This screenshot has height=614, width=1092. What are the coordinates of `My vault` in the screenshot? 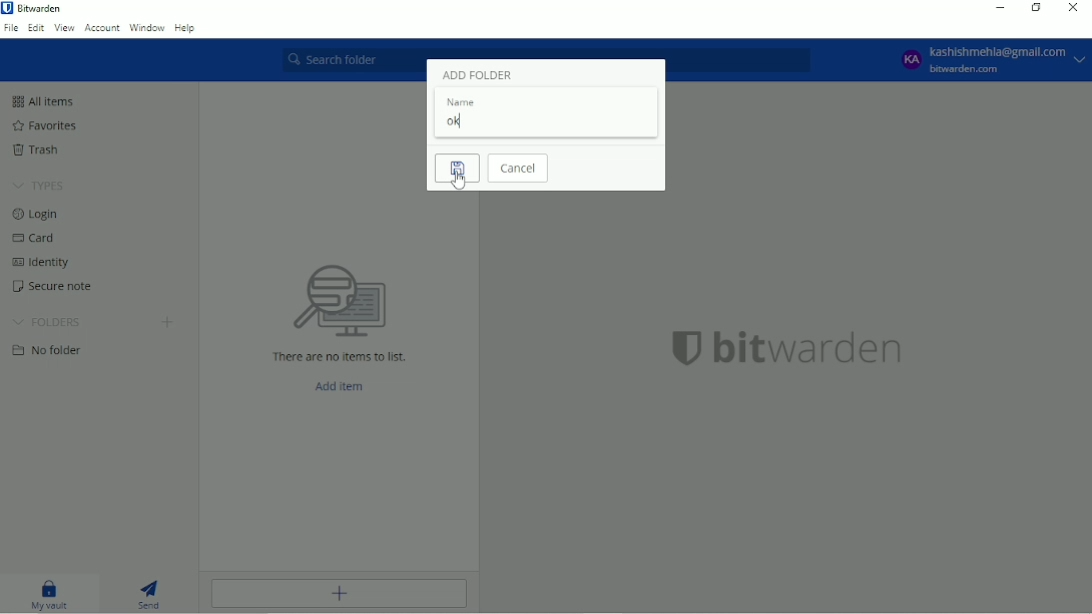 It's located at (47, 595).